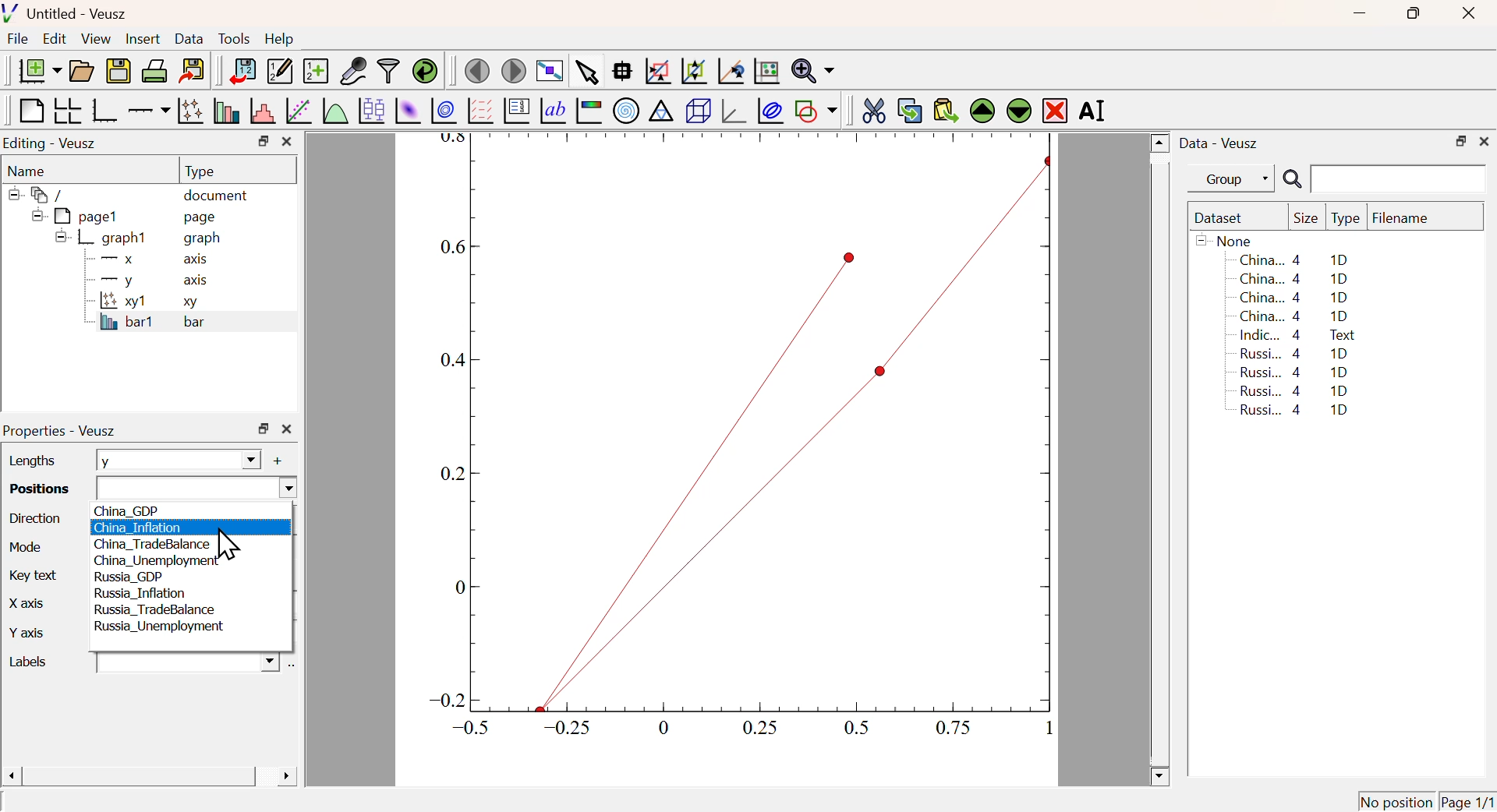 The image size is (1497, 812). What do you see at coordinates (140, 529) in the screenshot?
I see `China_Inflation` at bounding box center [140, 529].